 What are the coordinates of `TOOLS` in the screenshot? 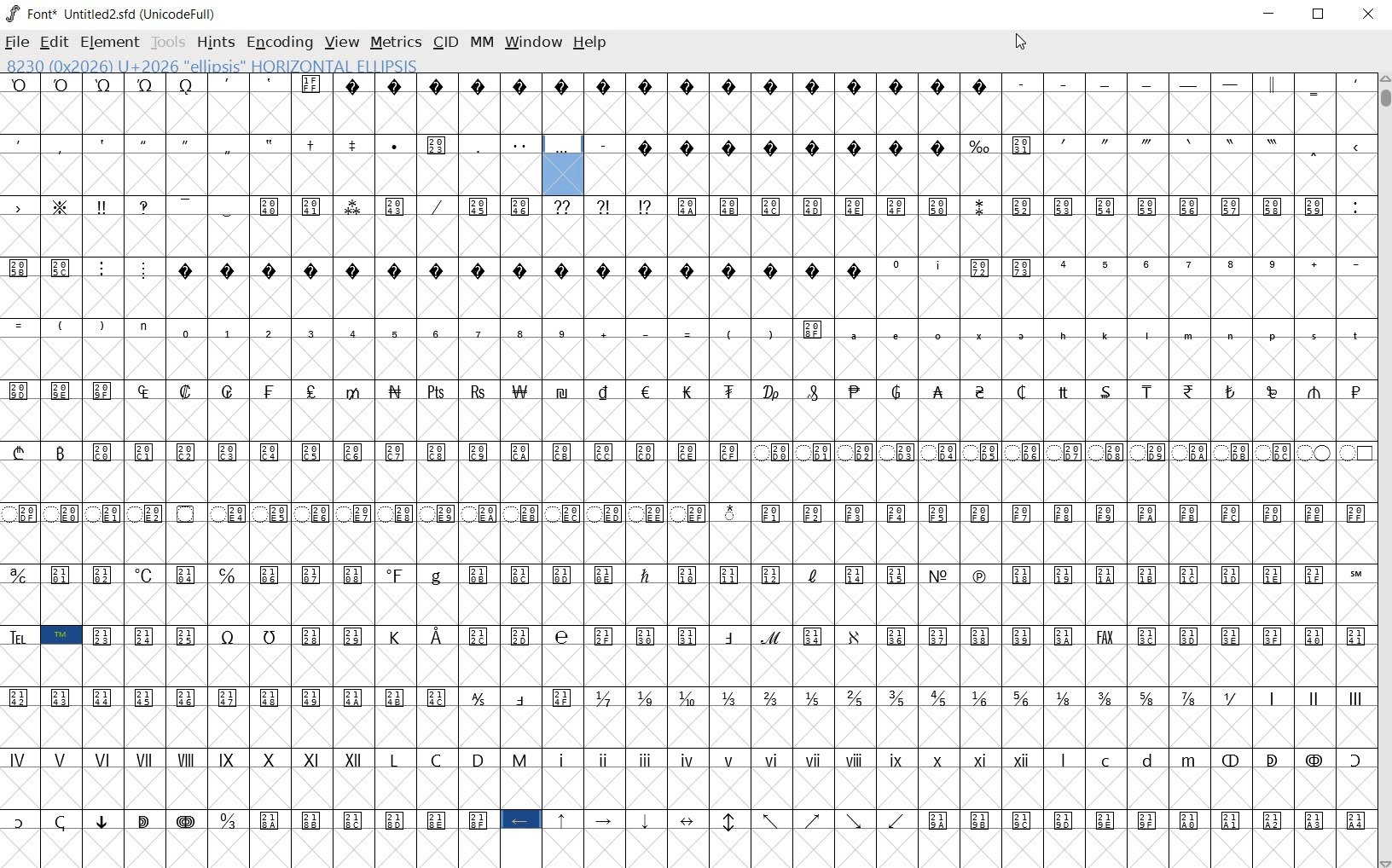 It's located at (169, 42).